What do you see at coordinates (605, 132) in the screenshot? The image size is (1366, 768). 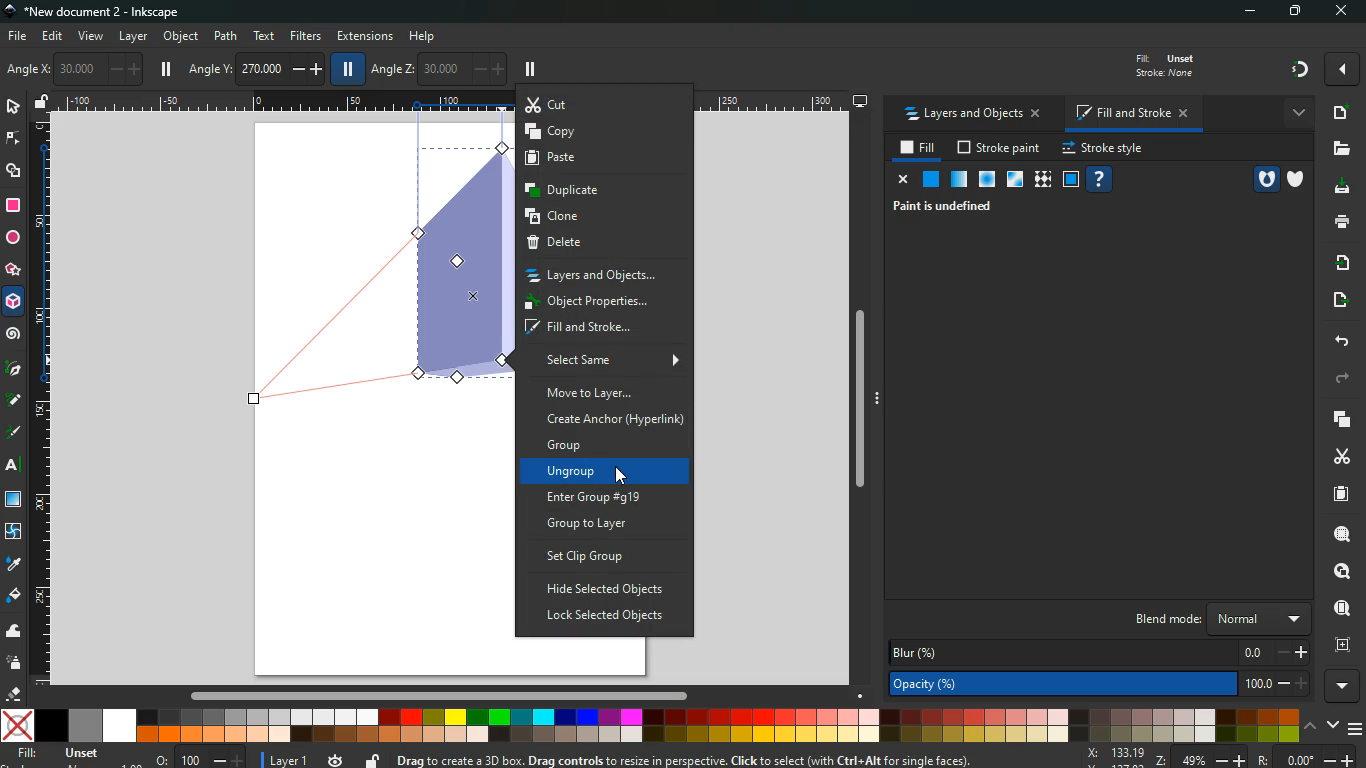 I see `copy` at bounding box center [605, 132].